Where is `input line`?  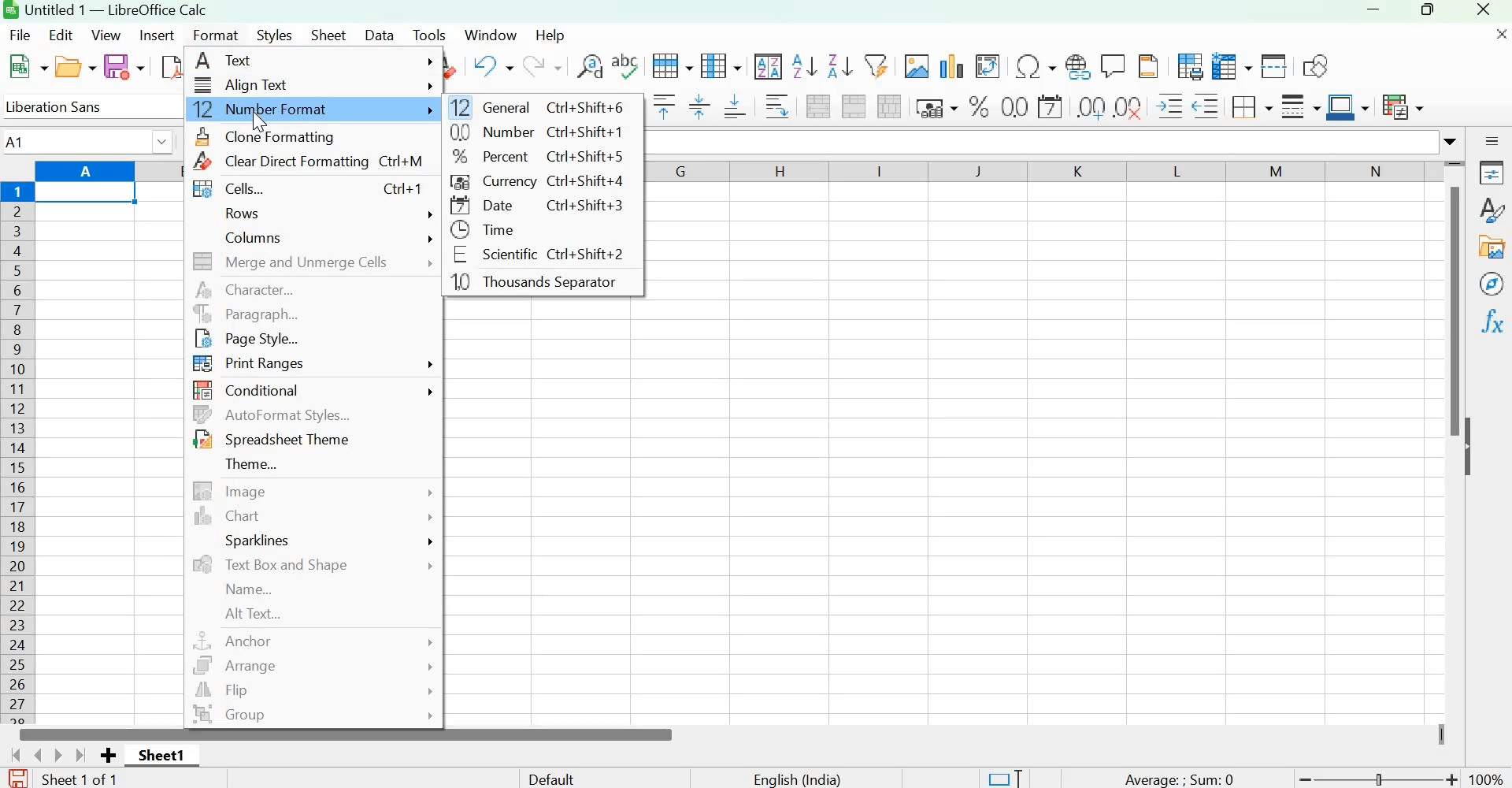 input line is located at coordinates (1041, 142).